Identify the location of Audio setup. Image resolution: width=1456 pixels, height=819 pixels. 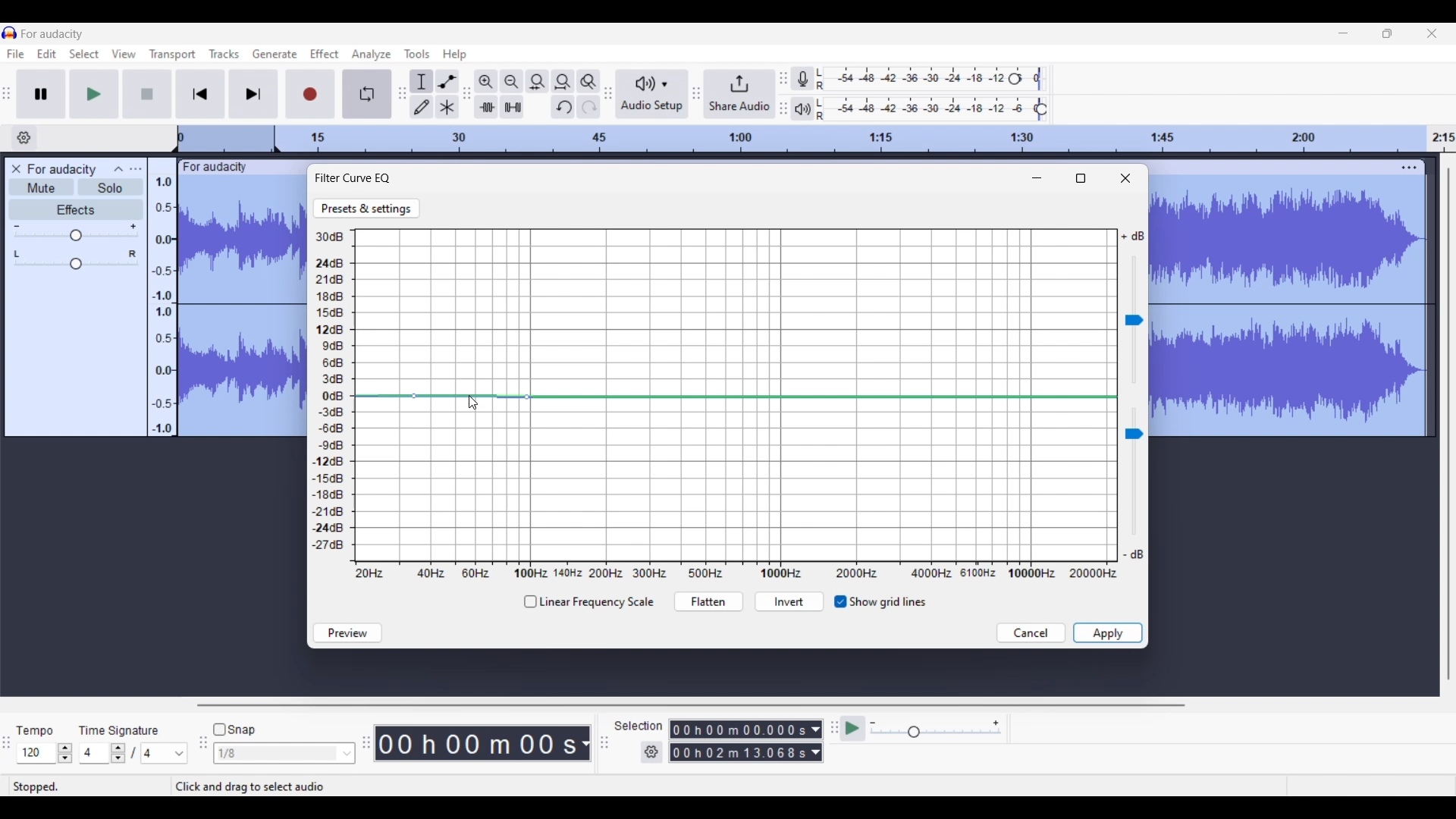
(652, 94).